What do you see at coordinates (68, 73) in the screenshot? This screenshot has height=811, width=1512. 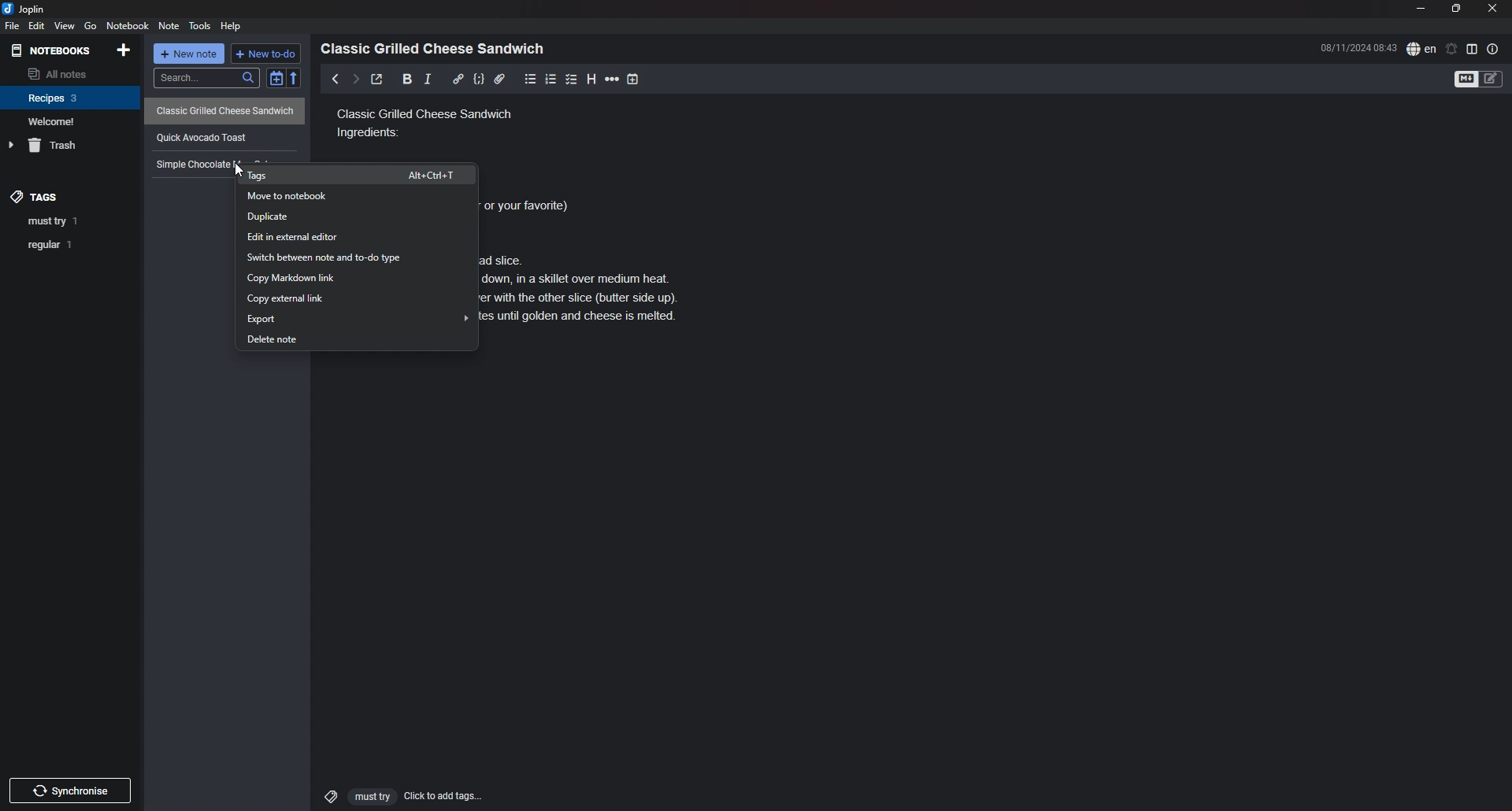 I see `all notes` at bounding box center [68, 73].